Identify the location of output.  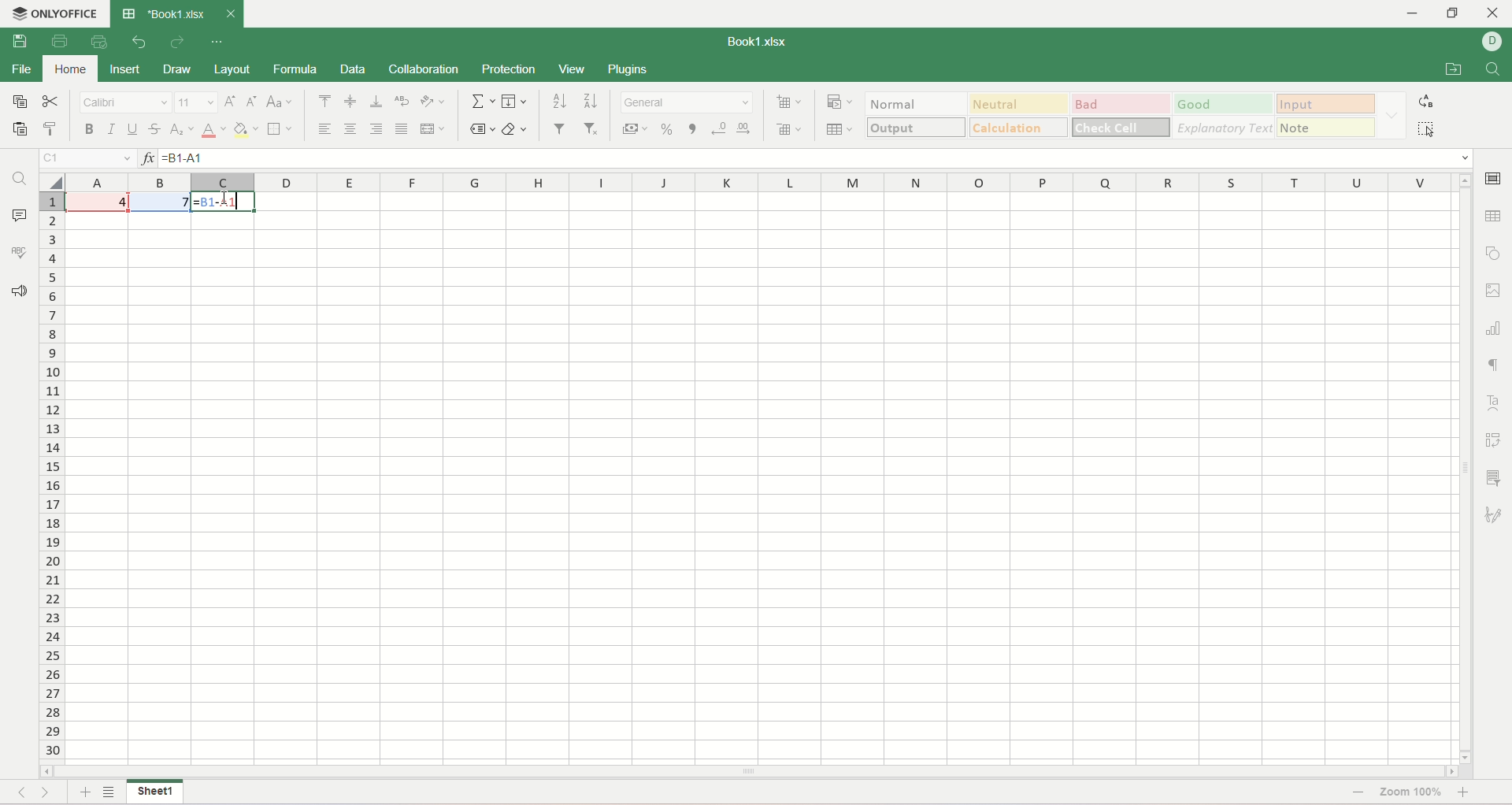
(917, 127).